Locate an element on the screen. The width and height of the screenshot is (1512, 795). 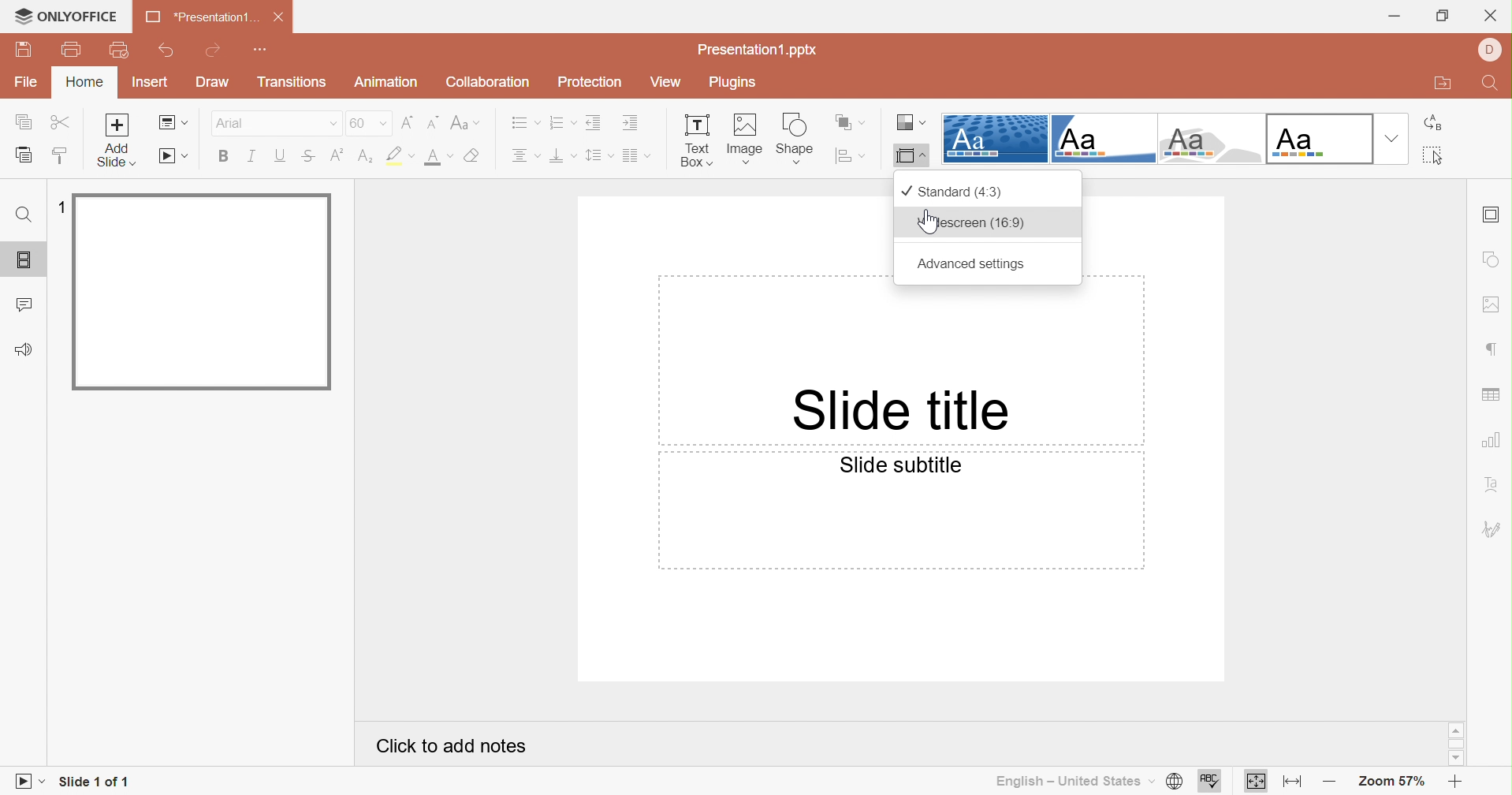
Select all is located at coordinates (1432, 155).